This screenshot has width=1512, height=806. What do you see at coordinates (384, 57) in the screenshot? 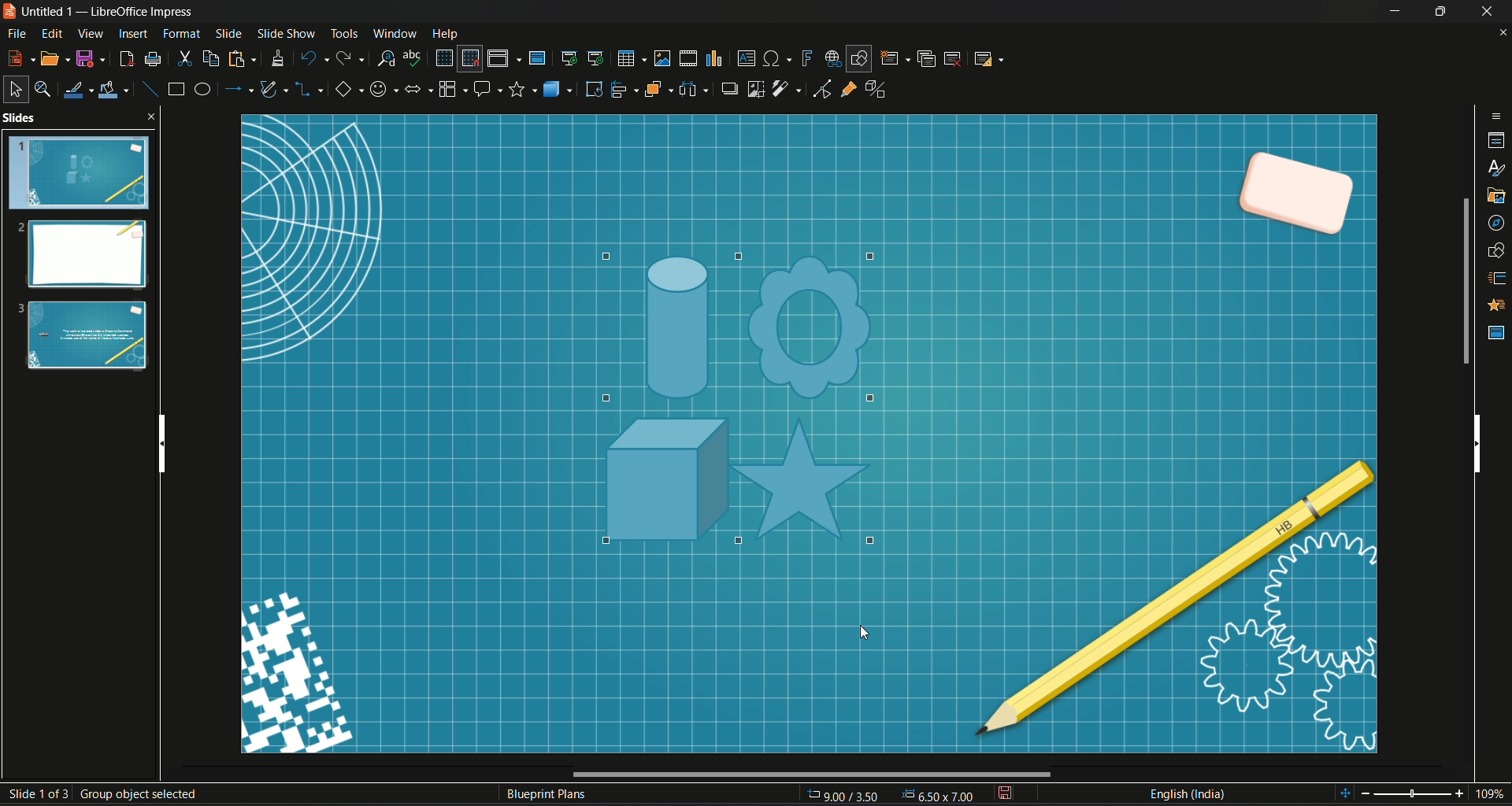
I see `find and replace` at bounding box center [384, 57].